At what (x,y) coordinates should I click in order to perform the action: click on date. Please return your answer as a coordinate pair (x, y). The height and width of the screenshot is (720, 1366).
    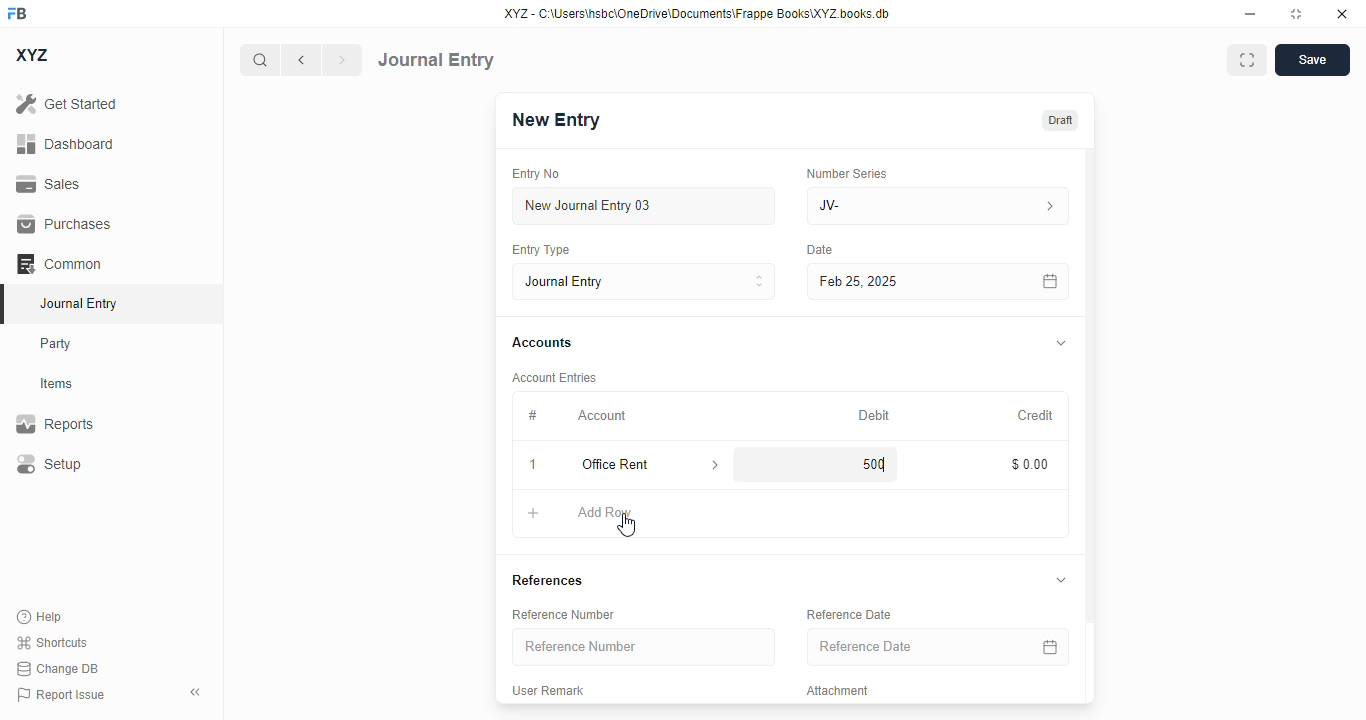
    Looking at the image, I should click on (821, 250).